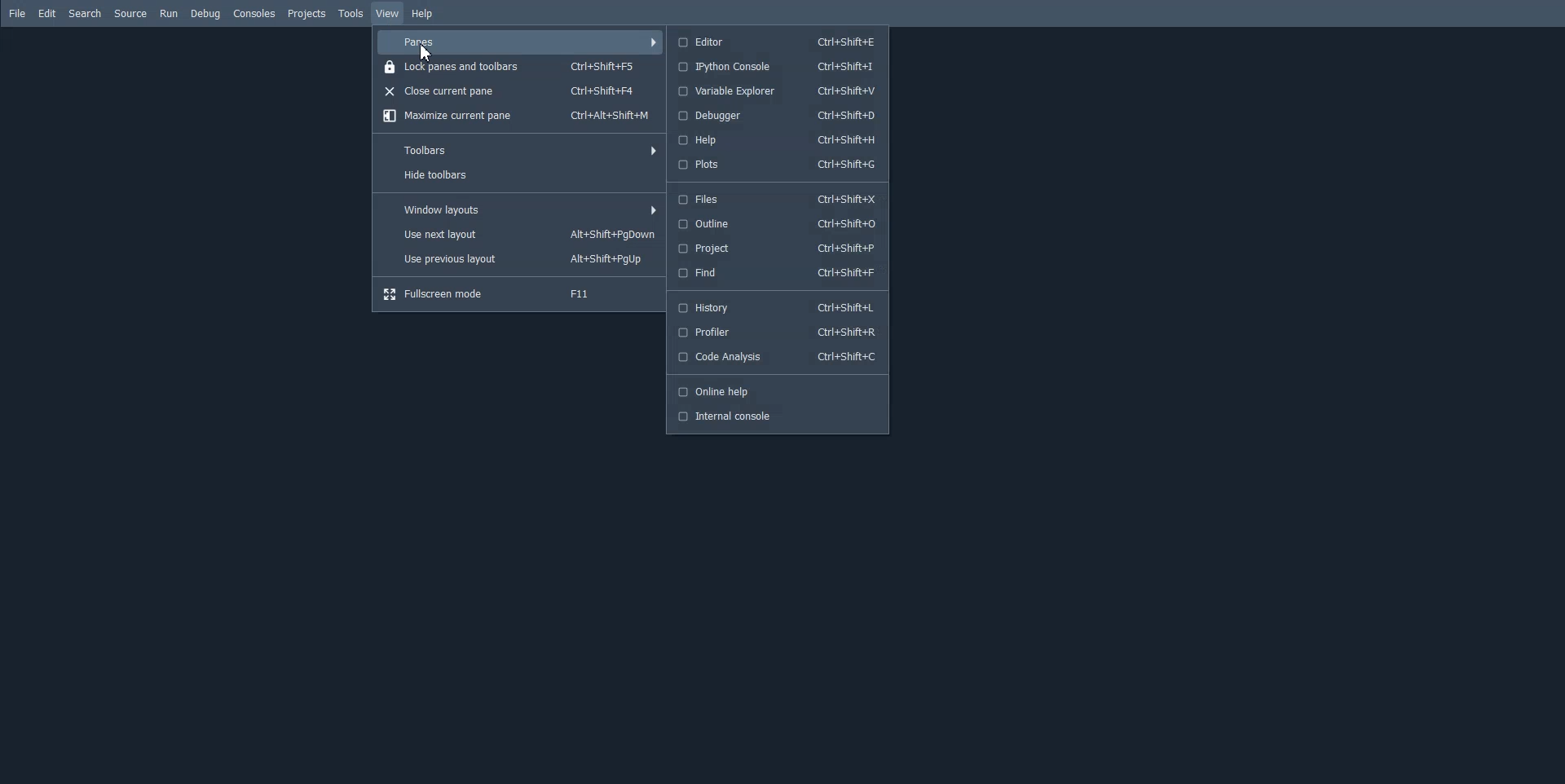 The image size is (1565, 784). What do you see at coordinates (205, 14) in the screenshot?
I see `Debug` at bounding box center [205, 14].